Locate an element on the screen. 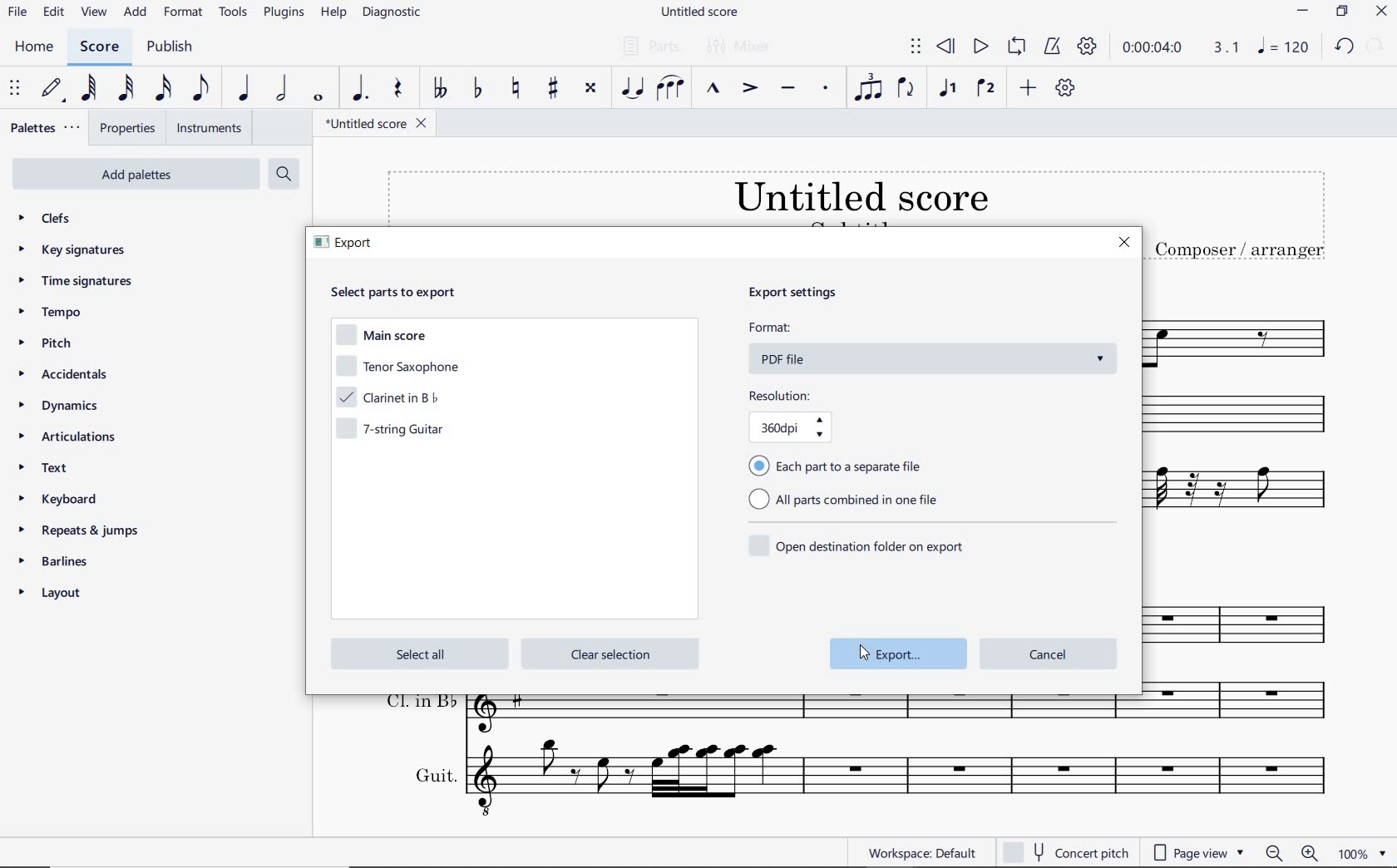  FILE NAME is located at coordinates (376, 126).